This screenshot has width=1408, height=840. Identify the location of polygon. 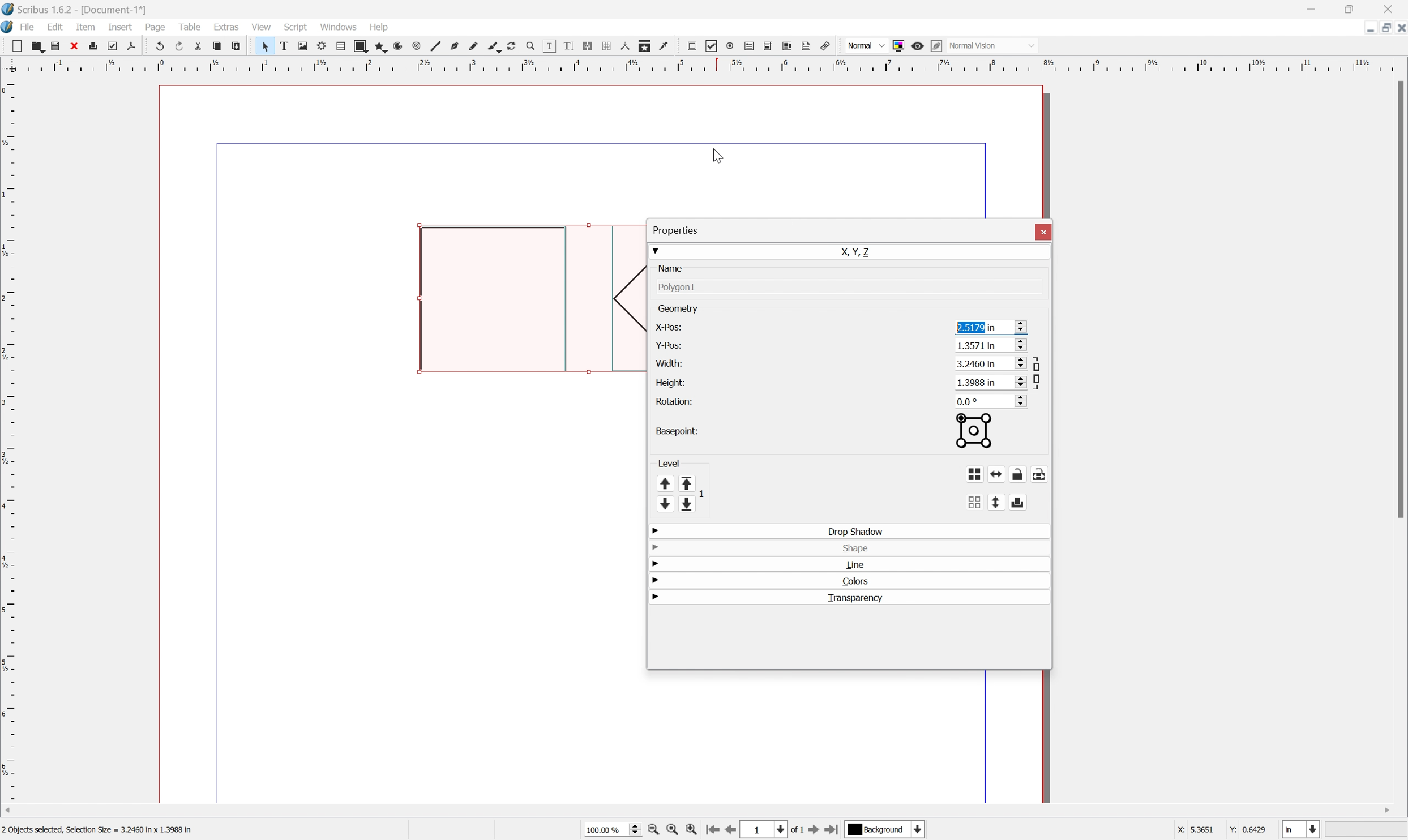
(376, 46).